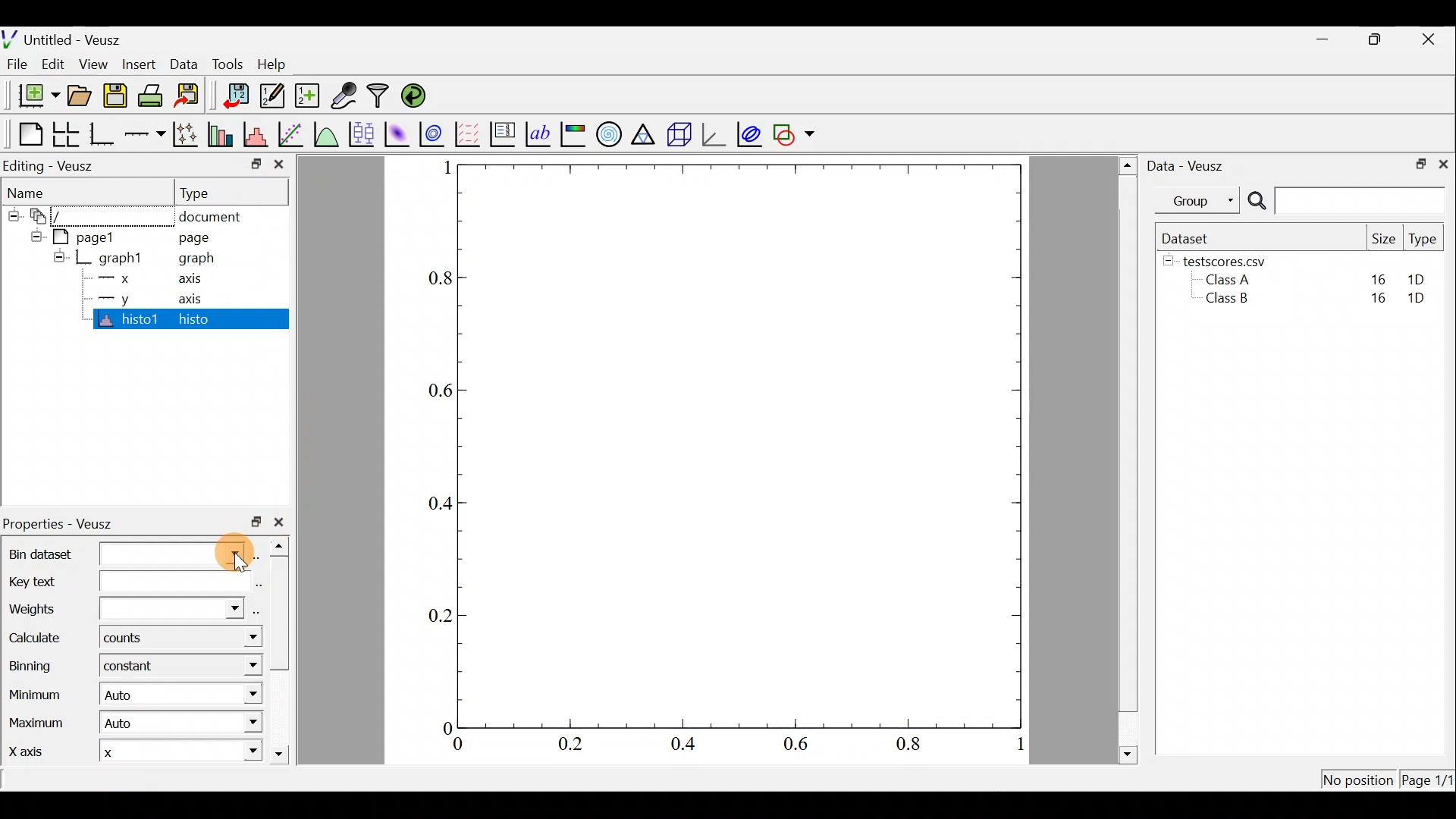  Describe the element at coordinates (1125, 460) in the screenshot. I see `scroll bar` at that location.